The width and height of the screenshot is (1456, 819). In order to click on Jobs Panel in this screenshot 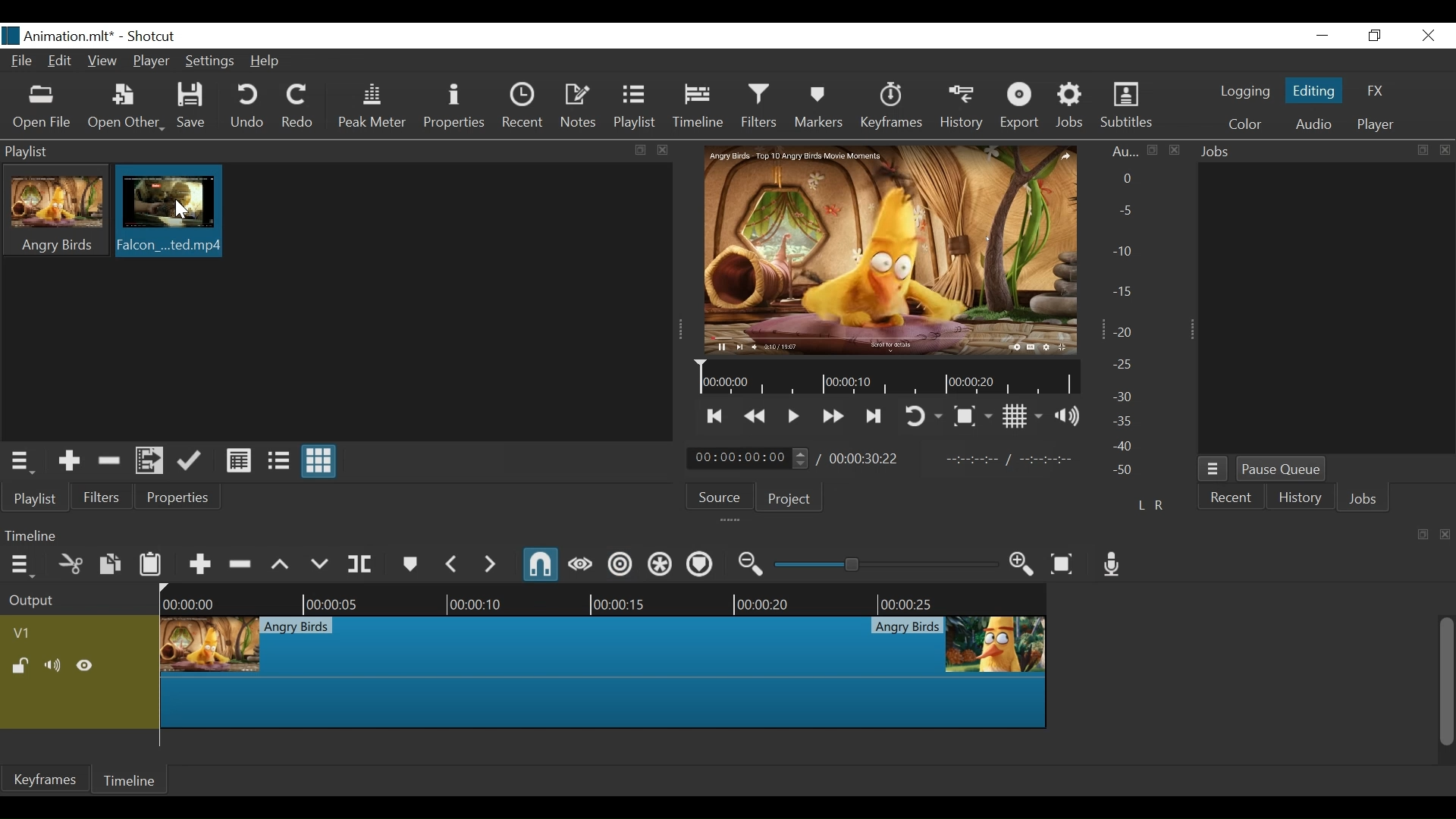, I will do `click(1326, 152)`.